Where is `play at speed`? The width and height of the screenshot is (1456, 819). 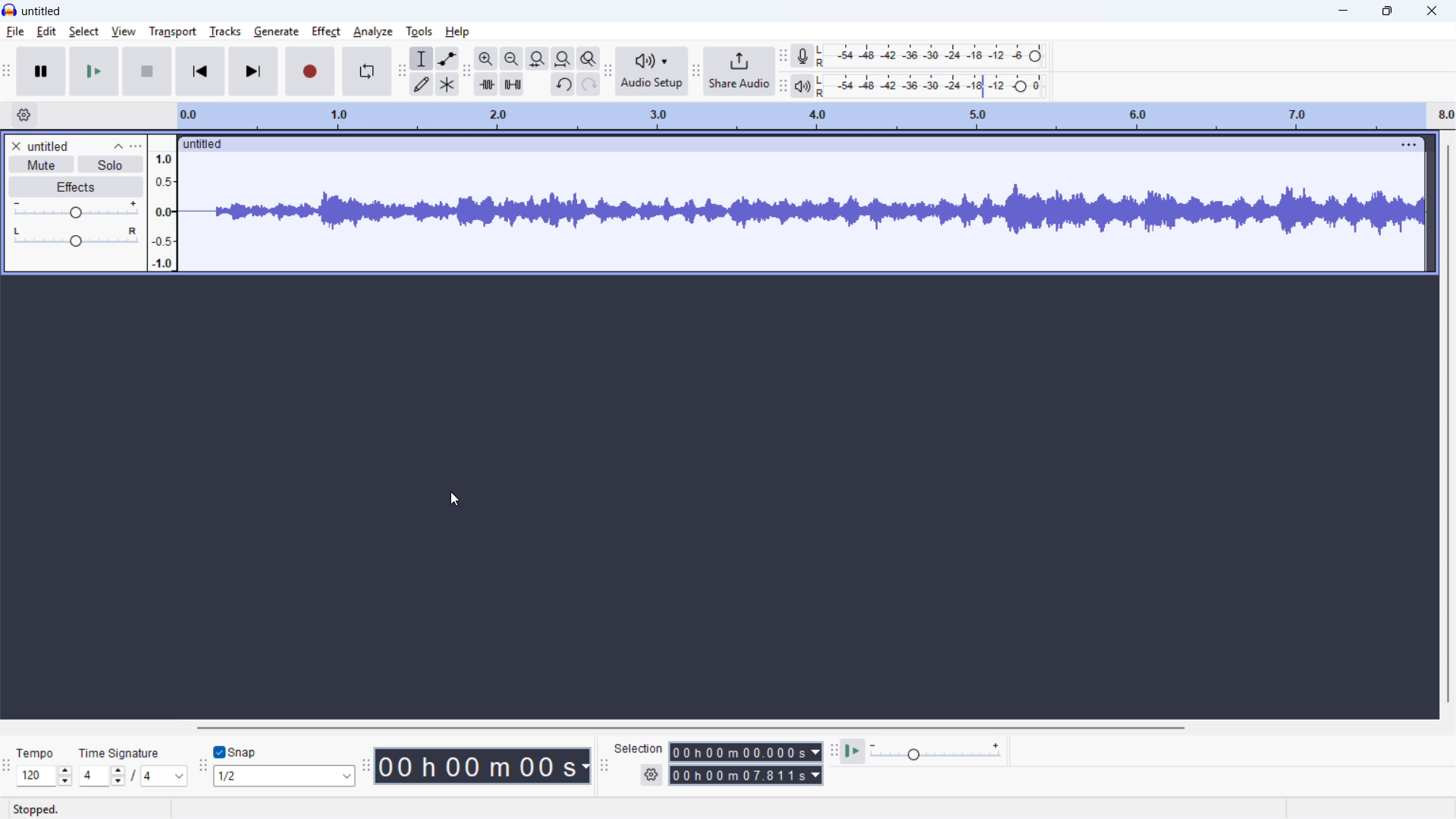 play at speed is located at coordinates (853, 752).